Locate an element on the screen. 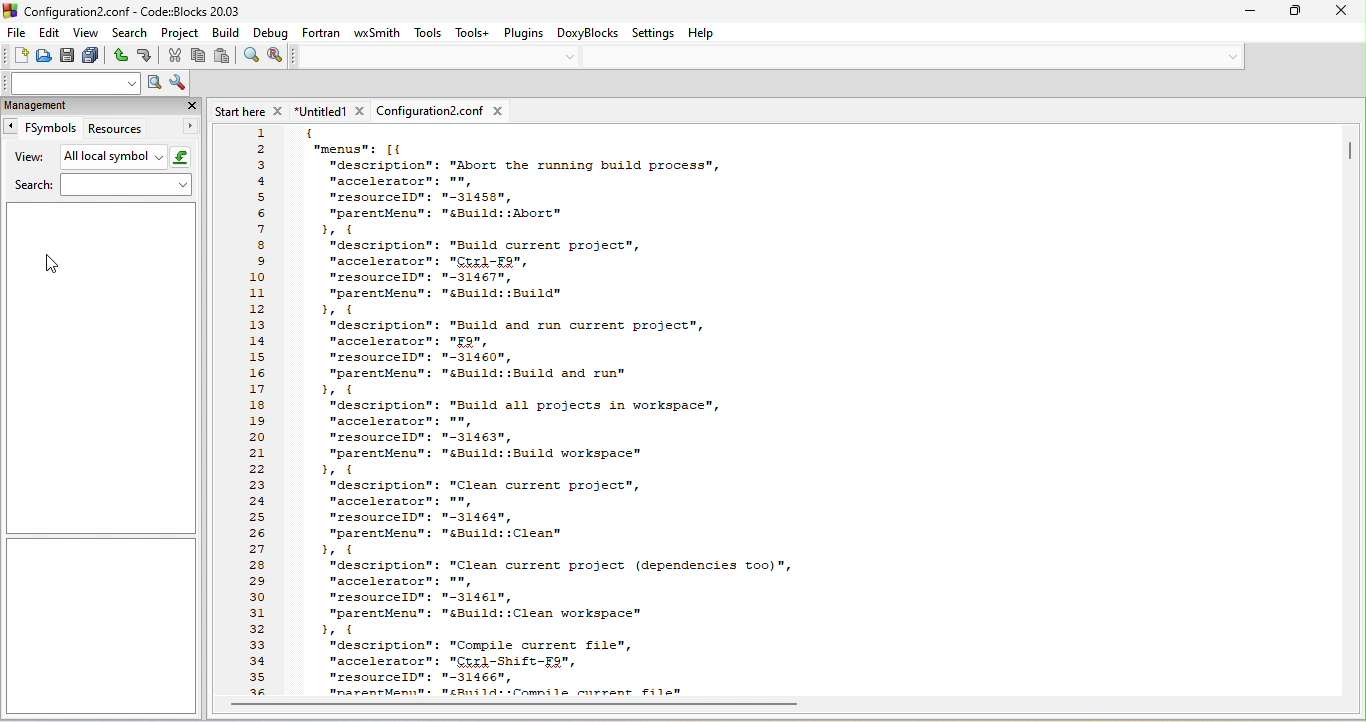  replace is located at coordinates (278, 57).